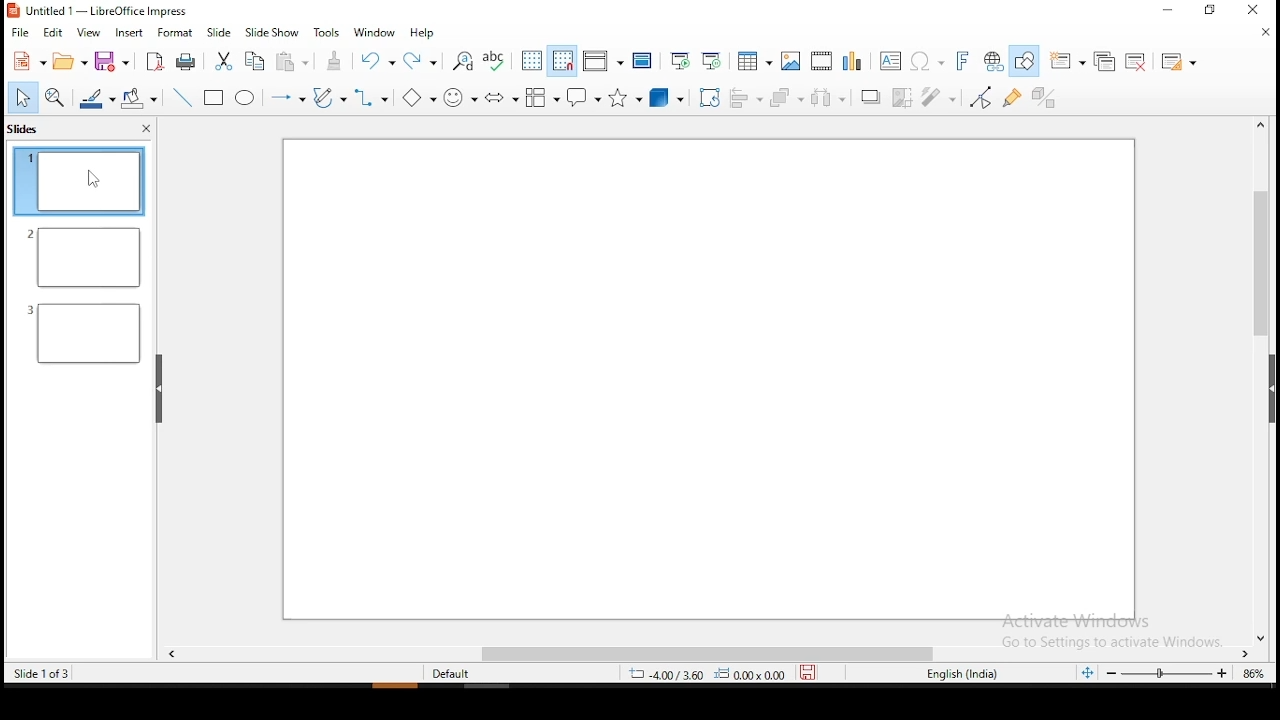 This screenshot has width=1280, height=720. Describe the element at coordinates (153, 64) in the screenshot. I see `export as pdf` at that location.